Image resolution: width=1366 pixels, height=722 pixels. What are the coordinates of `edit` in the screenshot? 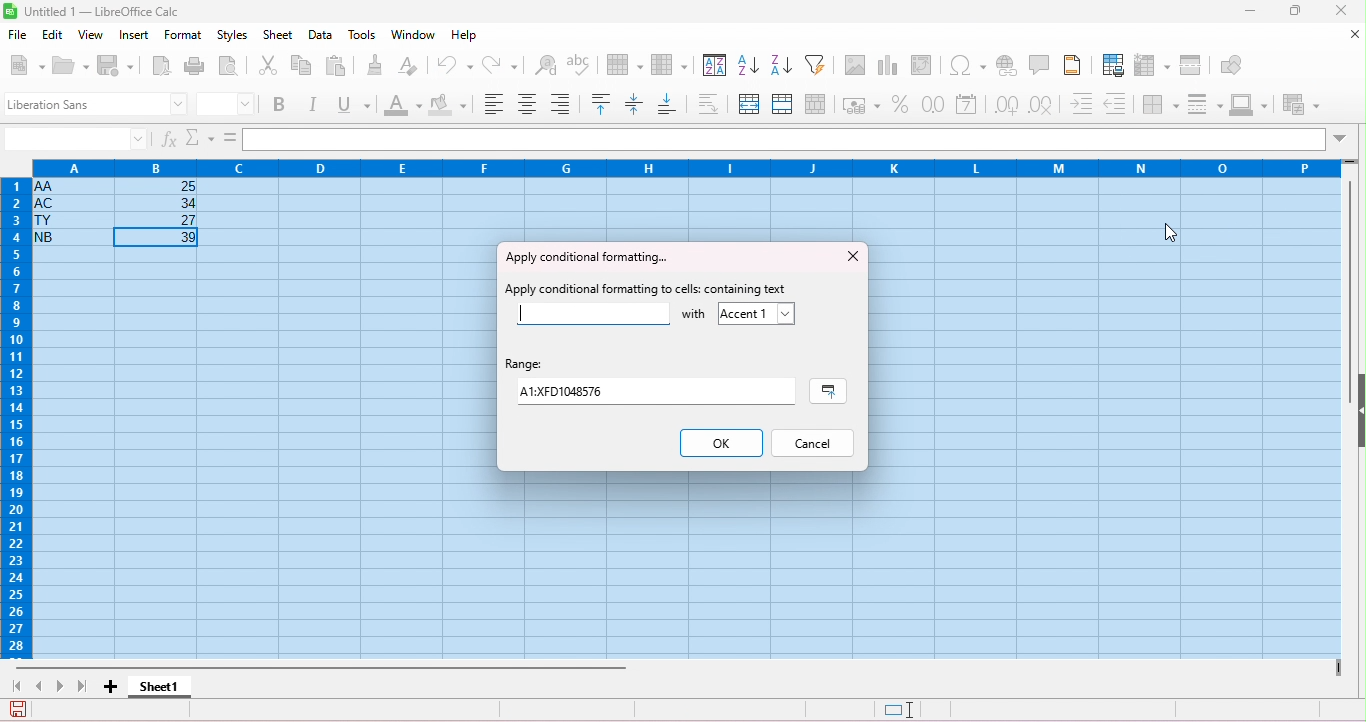 It's located at (54, 36).